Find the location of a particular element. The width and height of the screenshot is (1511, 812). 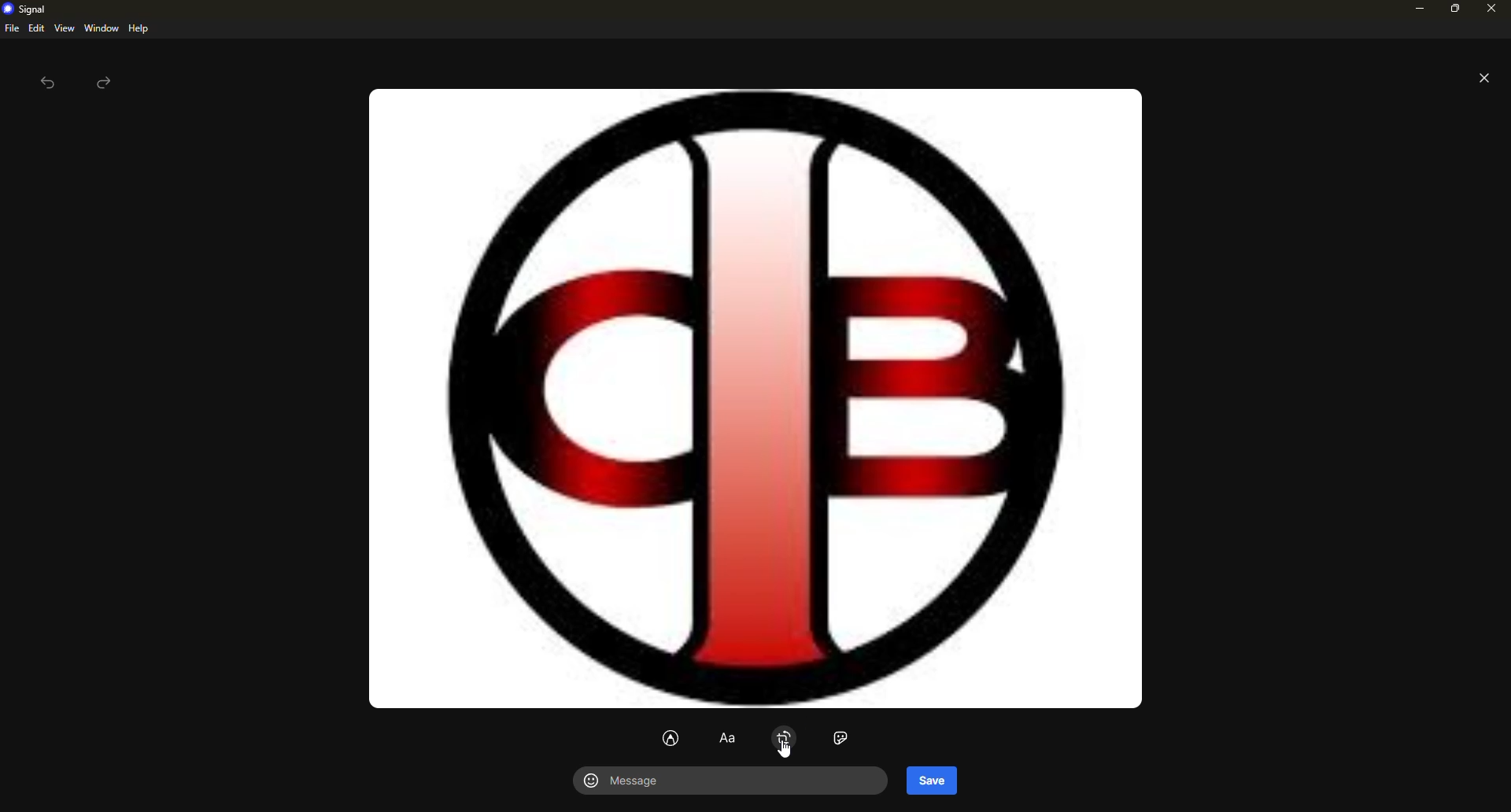

edit is located at coordinates (36, 28).